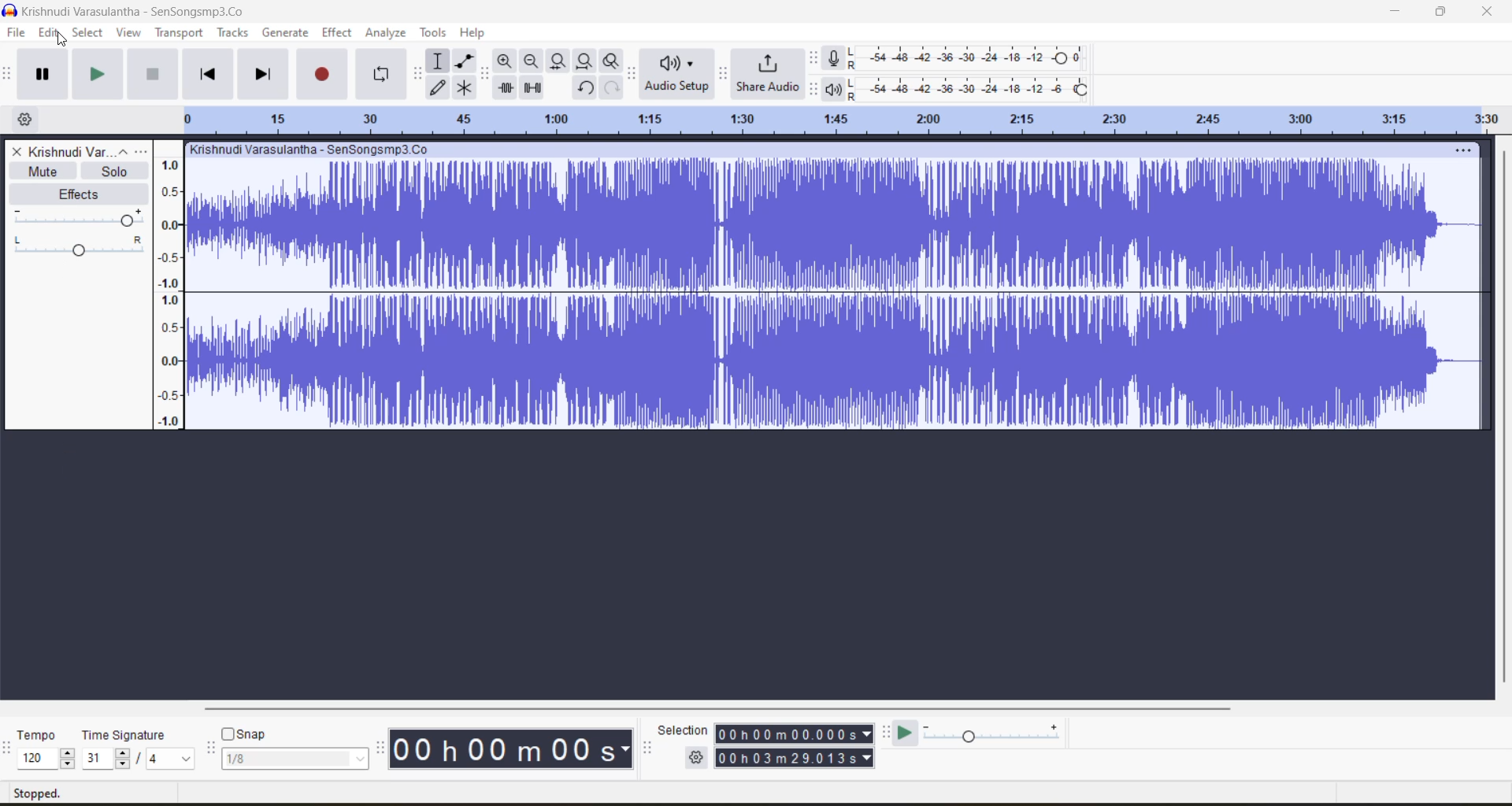 The height and width of the screenshot is (806, 1512). Describe the element at coordinates (87, 35) in the screenshot. I see `select` at that location.